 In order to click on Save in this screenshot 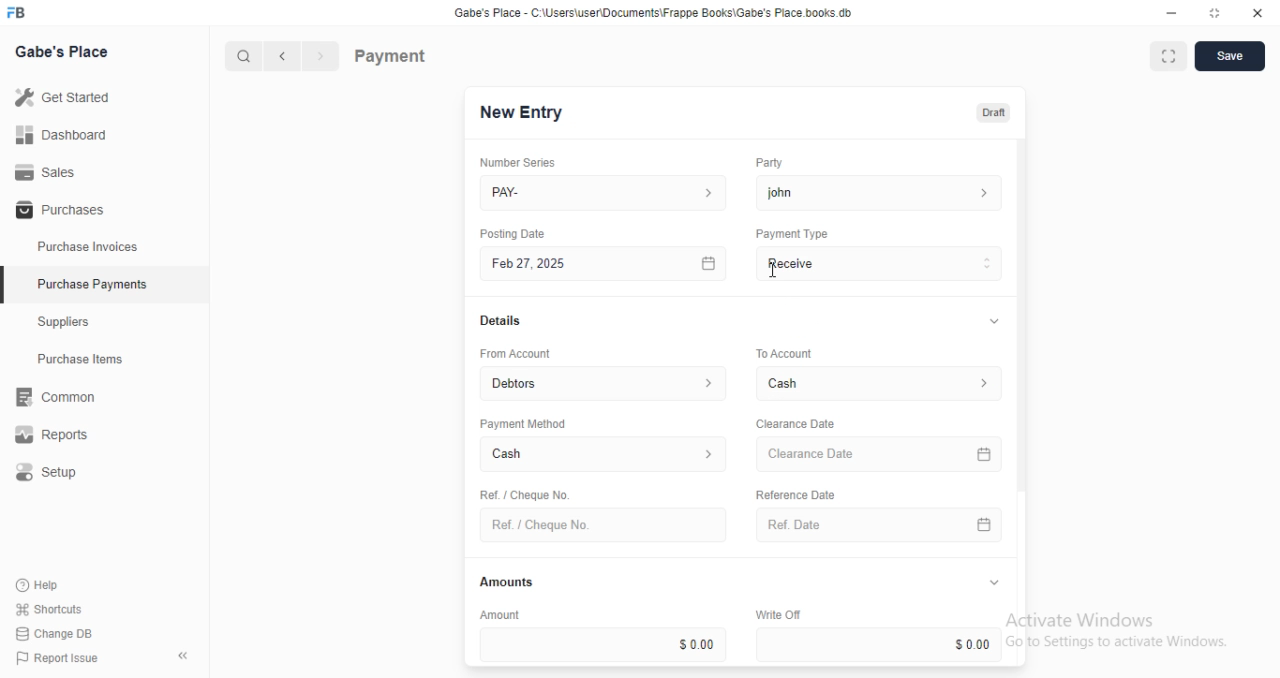, I will do `click(1229, 56)`.